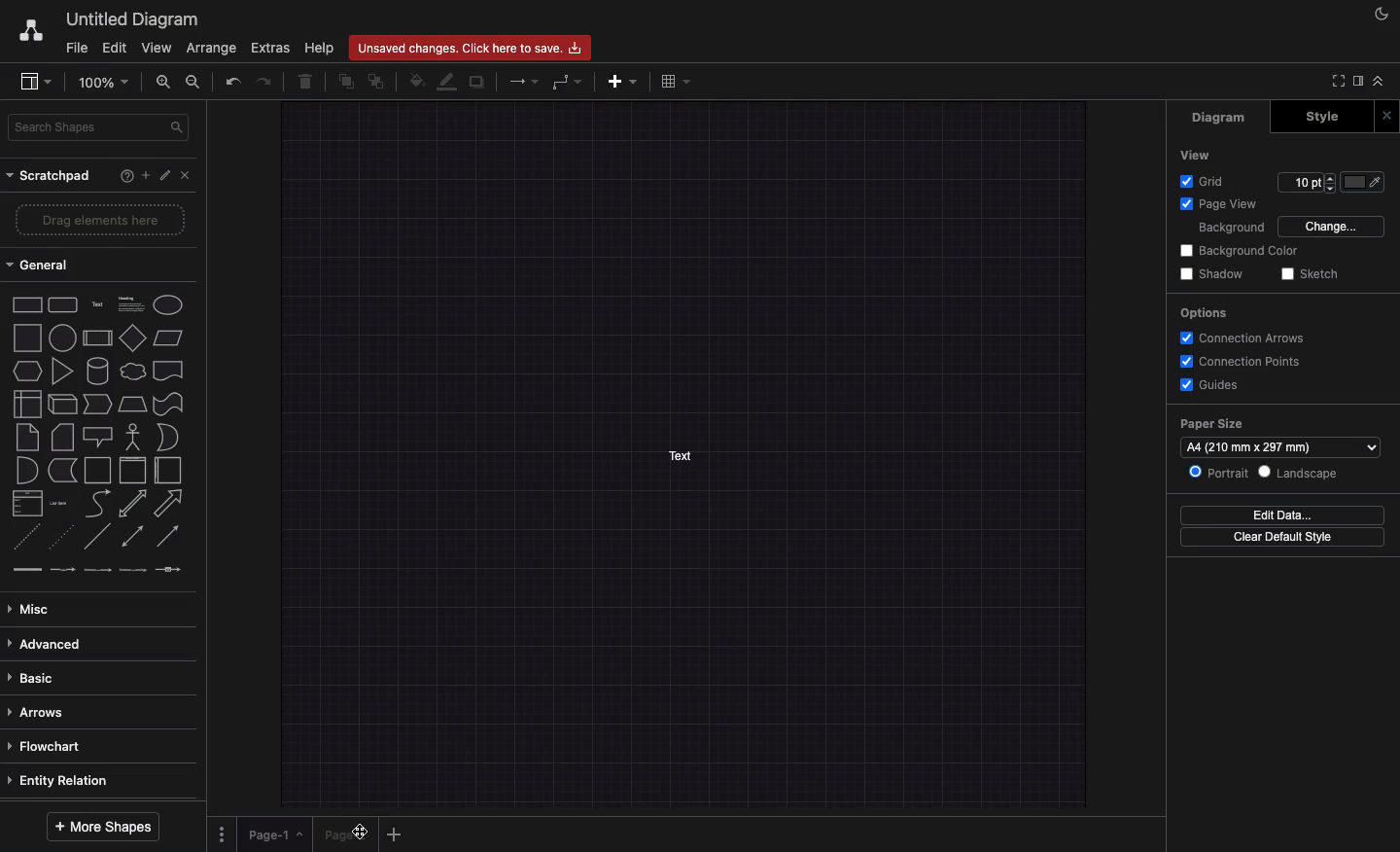 The width and height of the screenshot is (1400, 852). I want to click on Sidebar, so click(37, 80).